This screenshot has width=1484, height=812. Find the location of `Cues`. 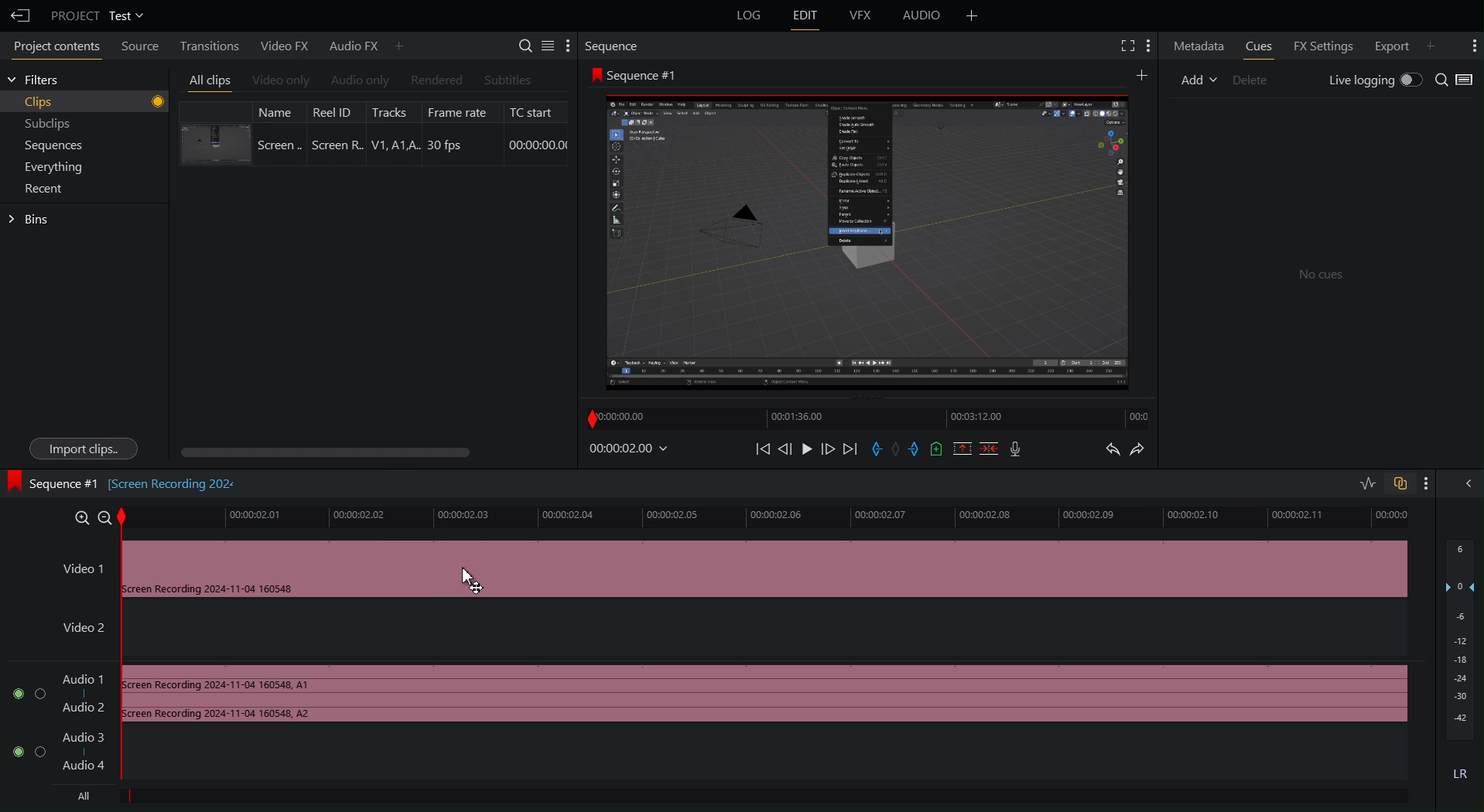

Cues is located at coordinates (1258, 47).